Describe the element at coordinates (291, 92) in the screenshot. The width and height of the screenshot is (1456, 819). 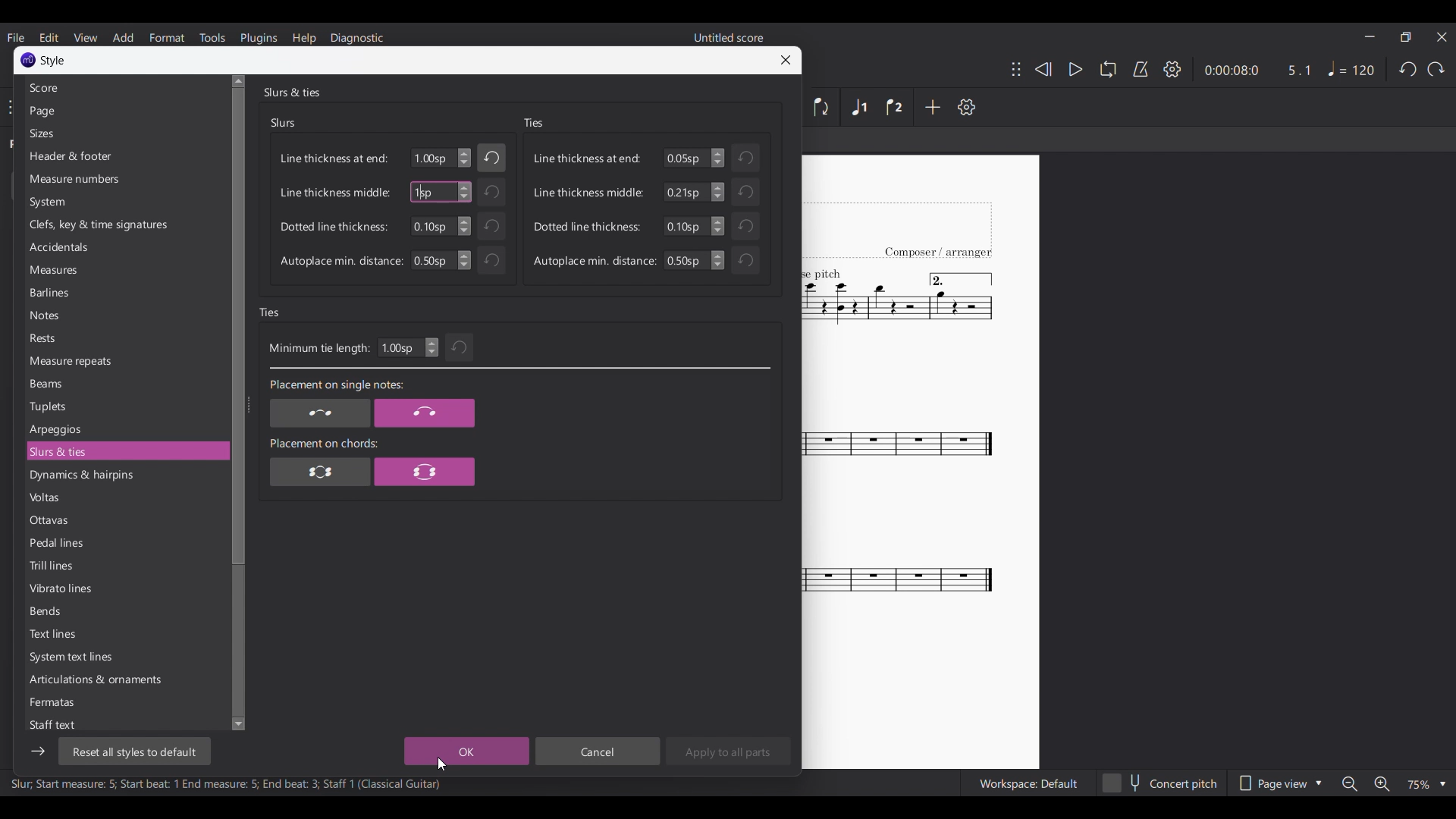
I see `Slurs & ties` at that location.